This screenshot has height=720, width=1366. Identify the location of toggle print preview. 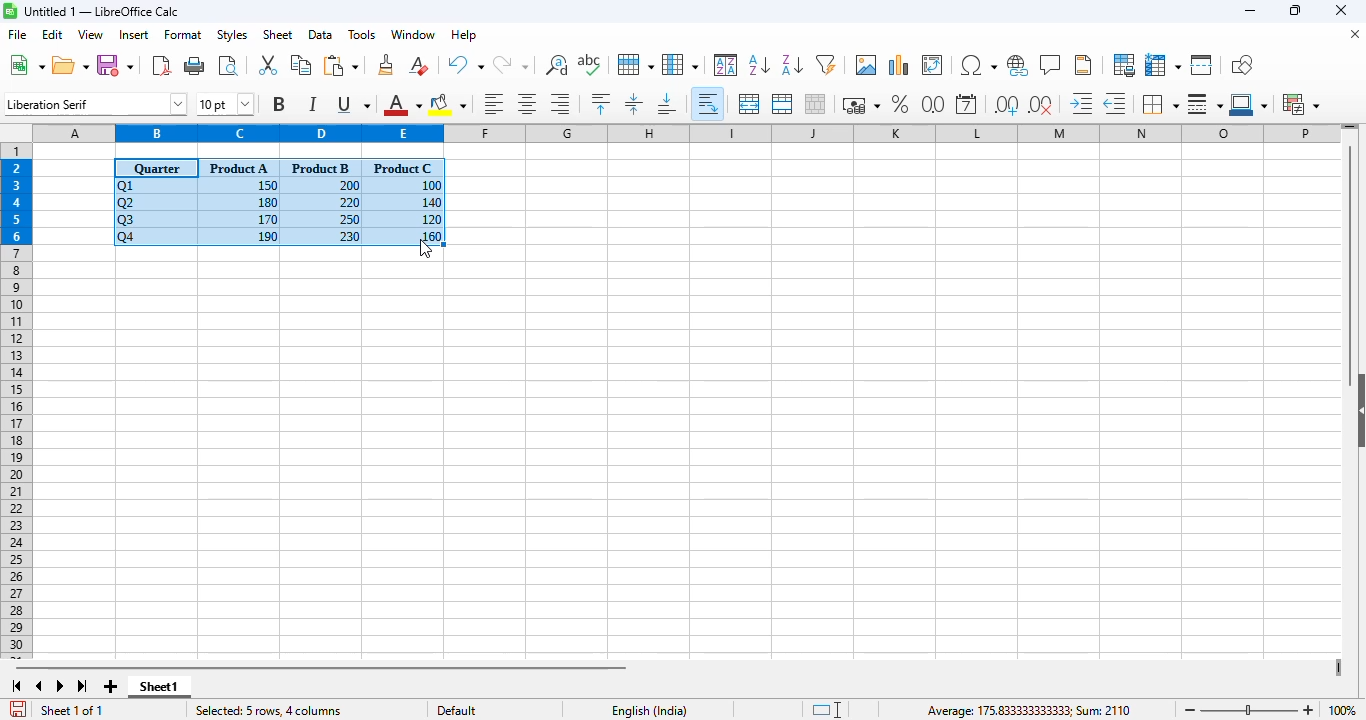
(228, 66).